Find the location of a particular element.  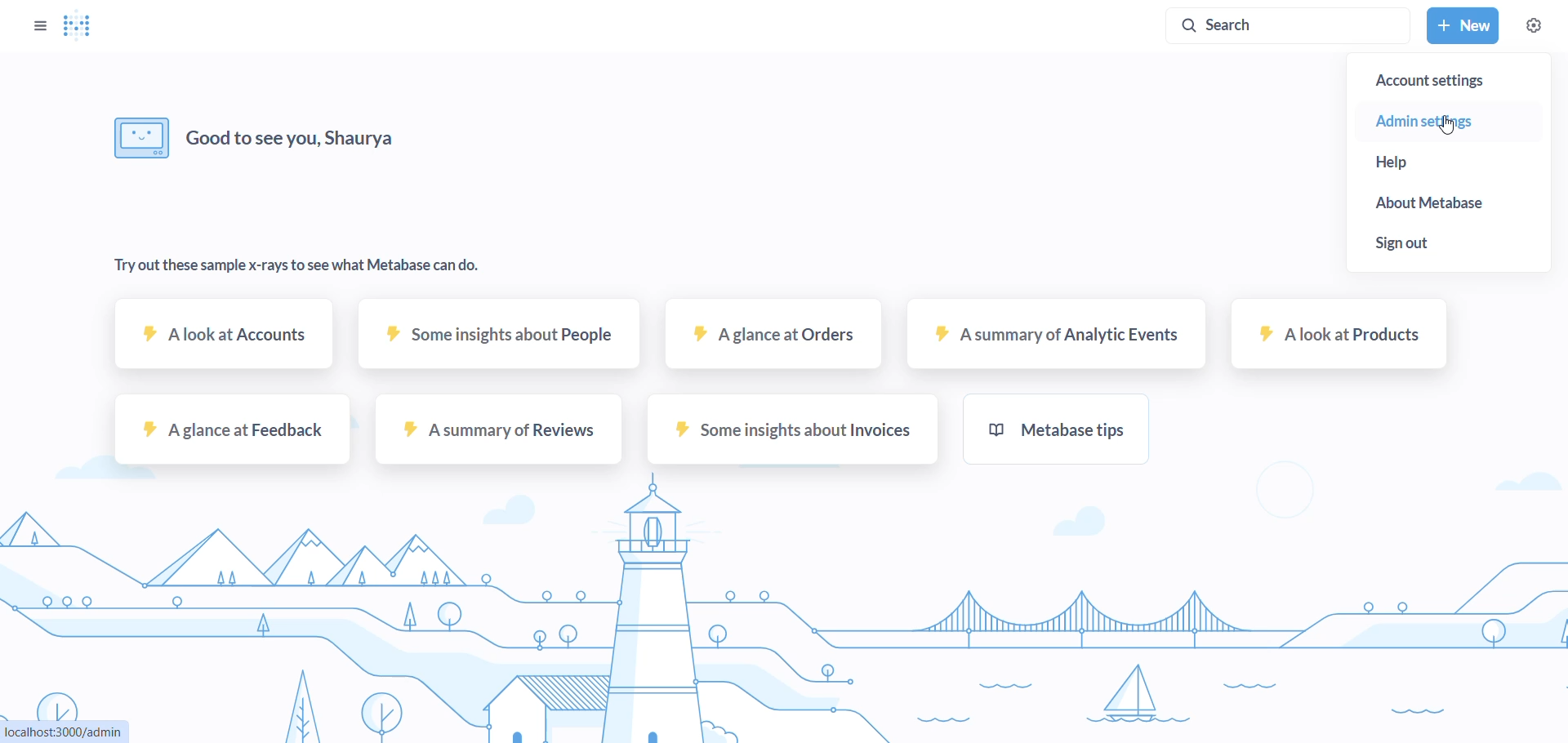

A GLANCE AT ORDERS SAMPLE is located at coordinates (777, 337).